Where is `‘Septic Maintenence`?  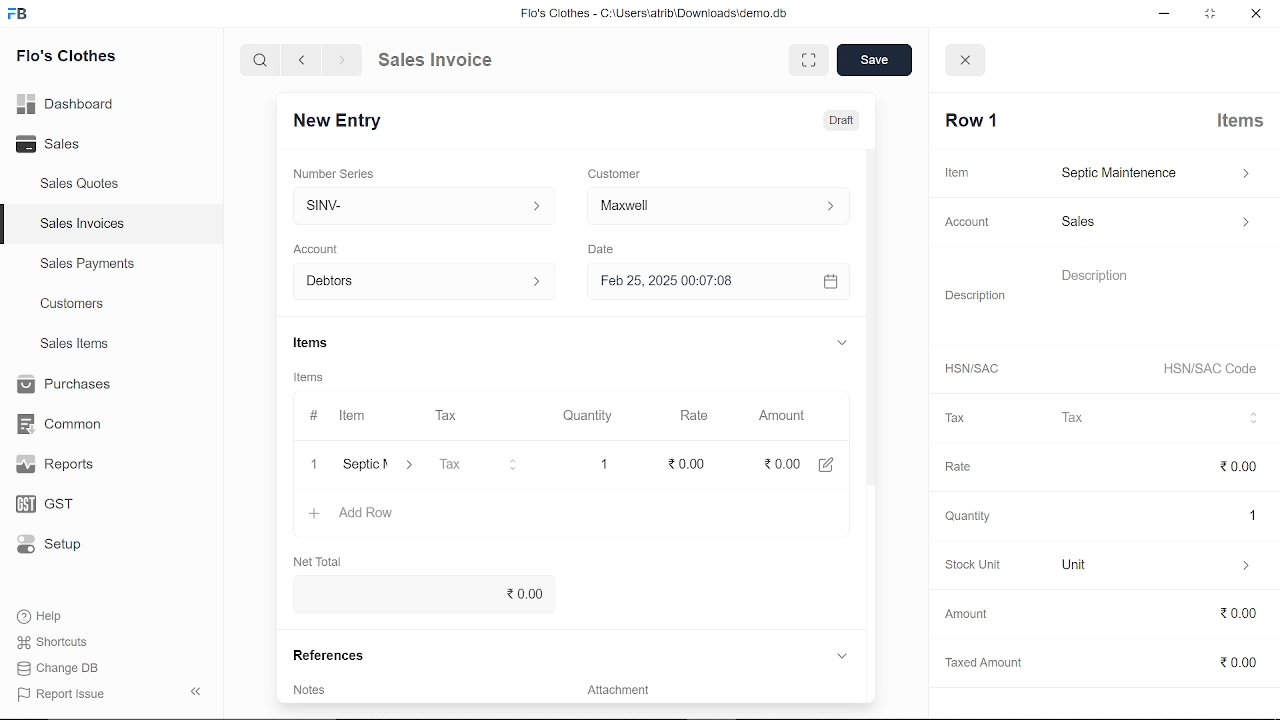
‘Septic Maintenence is located at coordinates (362, 466).